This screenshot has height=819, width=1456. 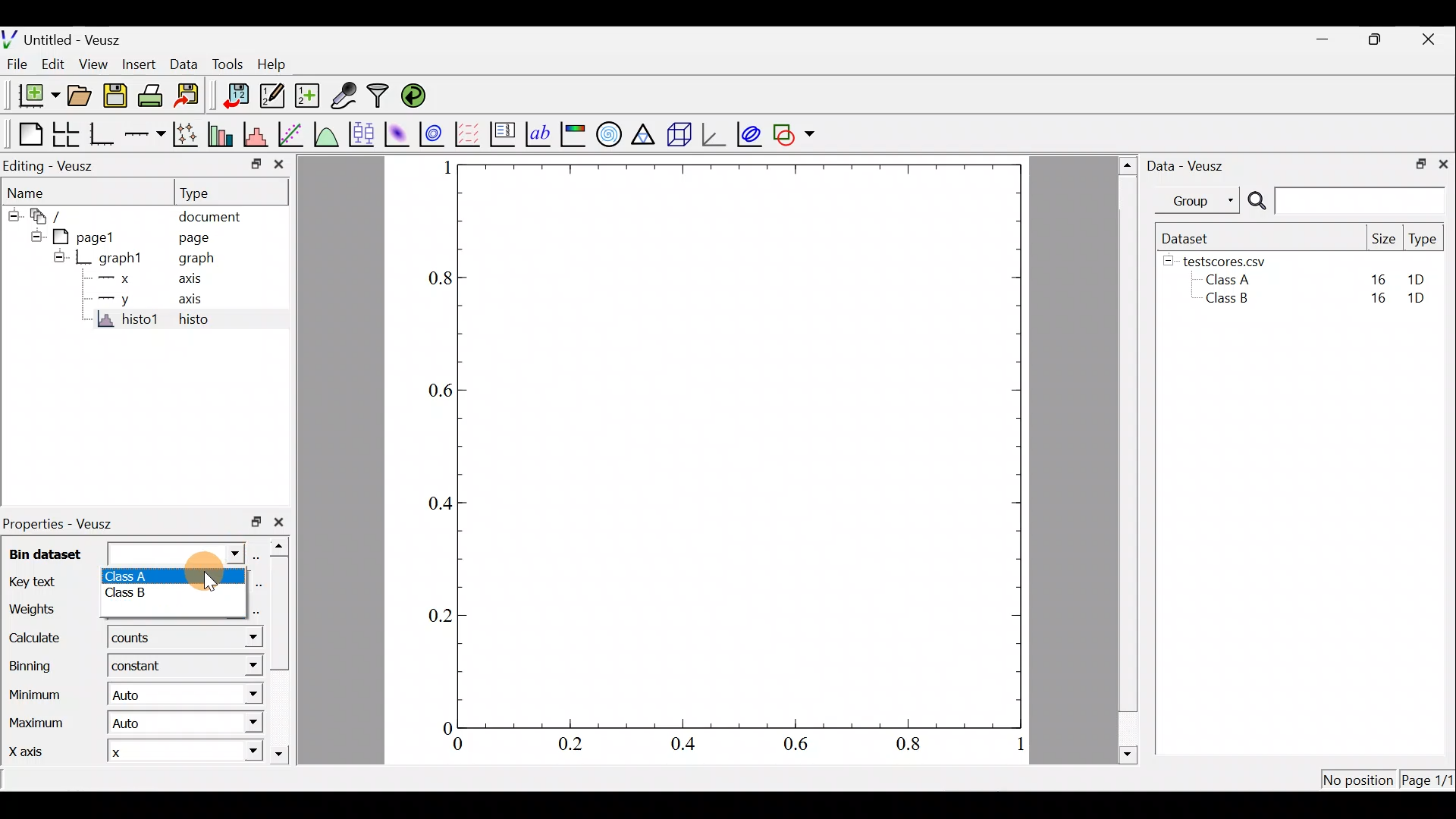 What do you see at coordinates (1378, 278) in the screenshot?
I see `16` at bounding box center [1378, 278].